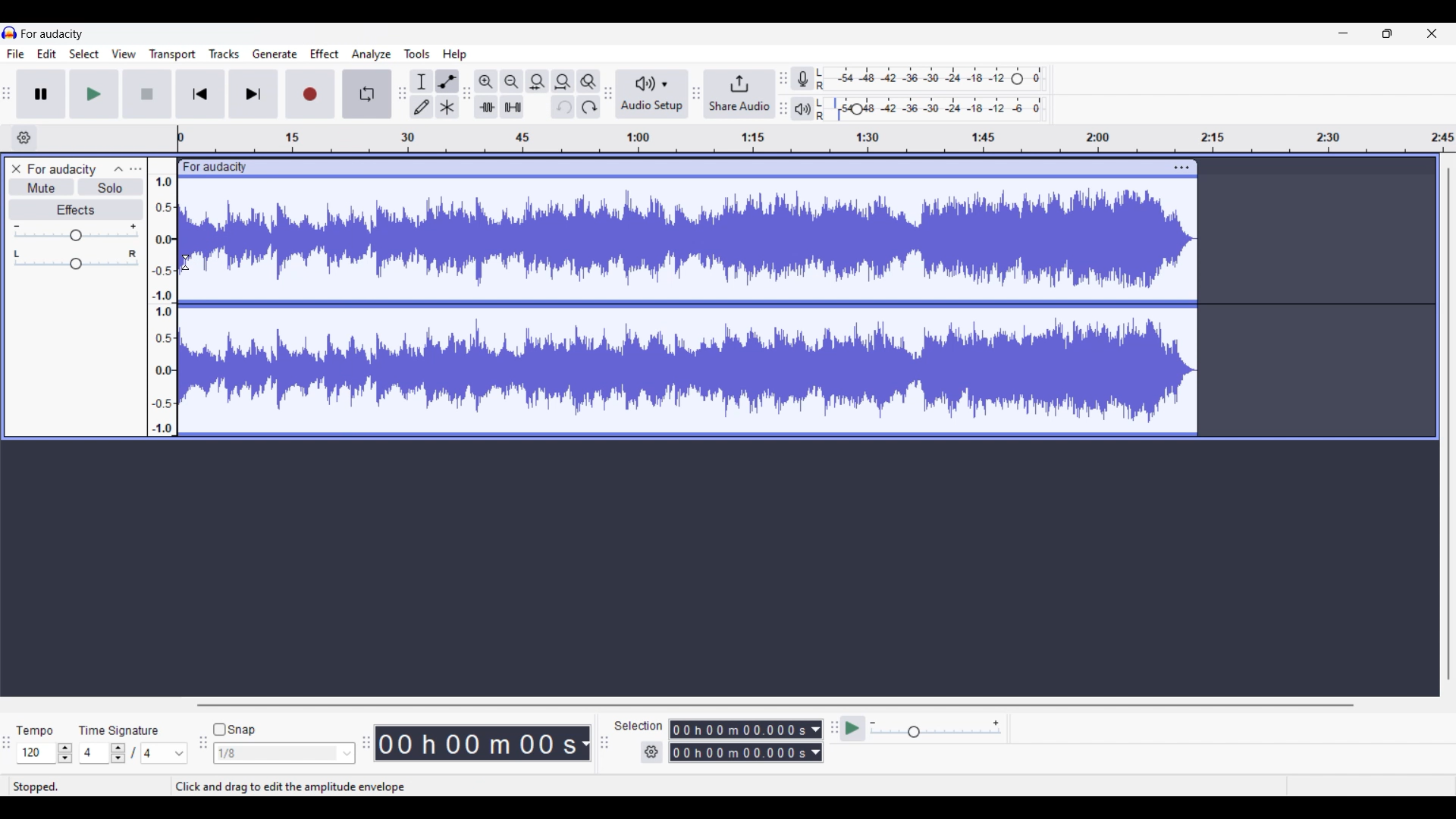 This screenshot has height=819, width=1456. I want to click on Collapse, so click(119, 169).